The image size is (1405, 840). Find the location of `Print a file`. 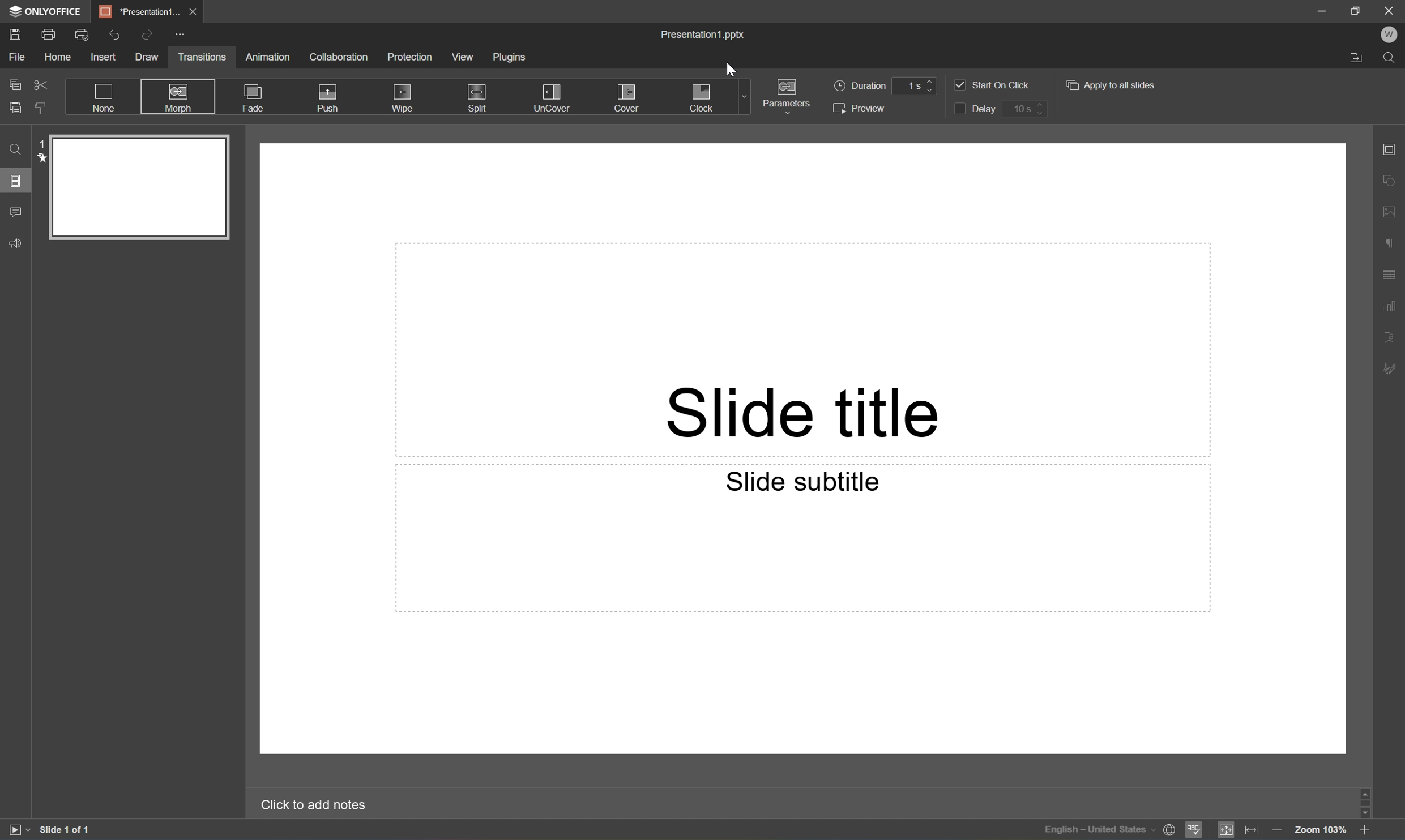

Print a file is located at coordinates (51, 33).